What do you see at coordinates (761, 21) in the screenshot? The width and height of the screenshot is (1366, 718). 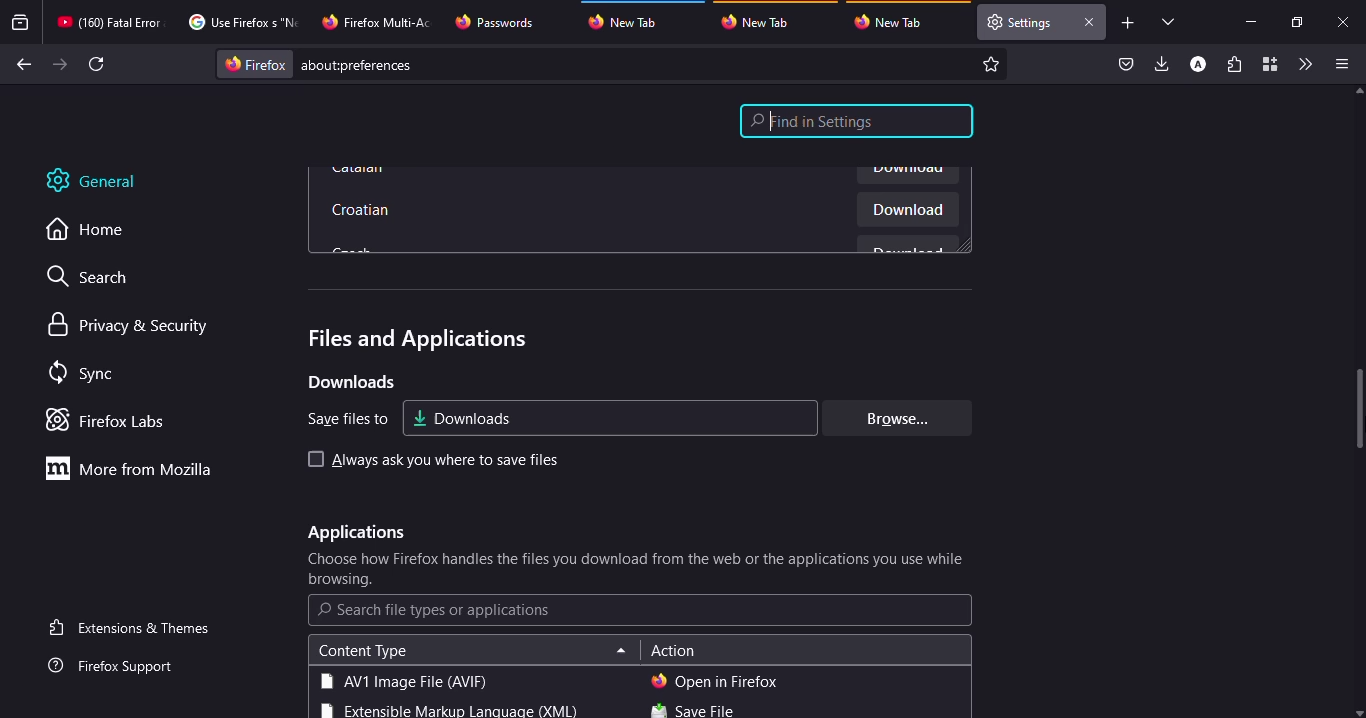 I see `tab` at bounding box center [761, 21].